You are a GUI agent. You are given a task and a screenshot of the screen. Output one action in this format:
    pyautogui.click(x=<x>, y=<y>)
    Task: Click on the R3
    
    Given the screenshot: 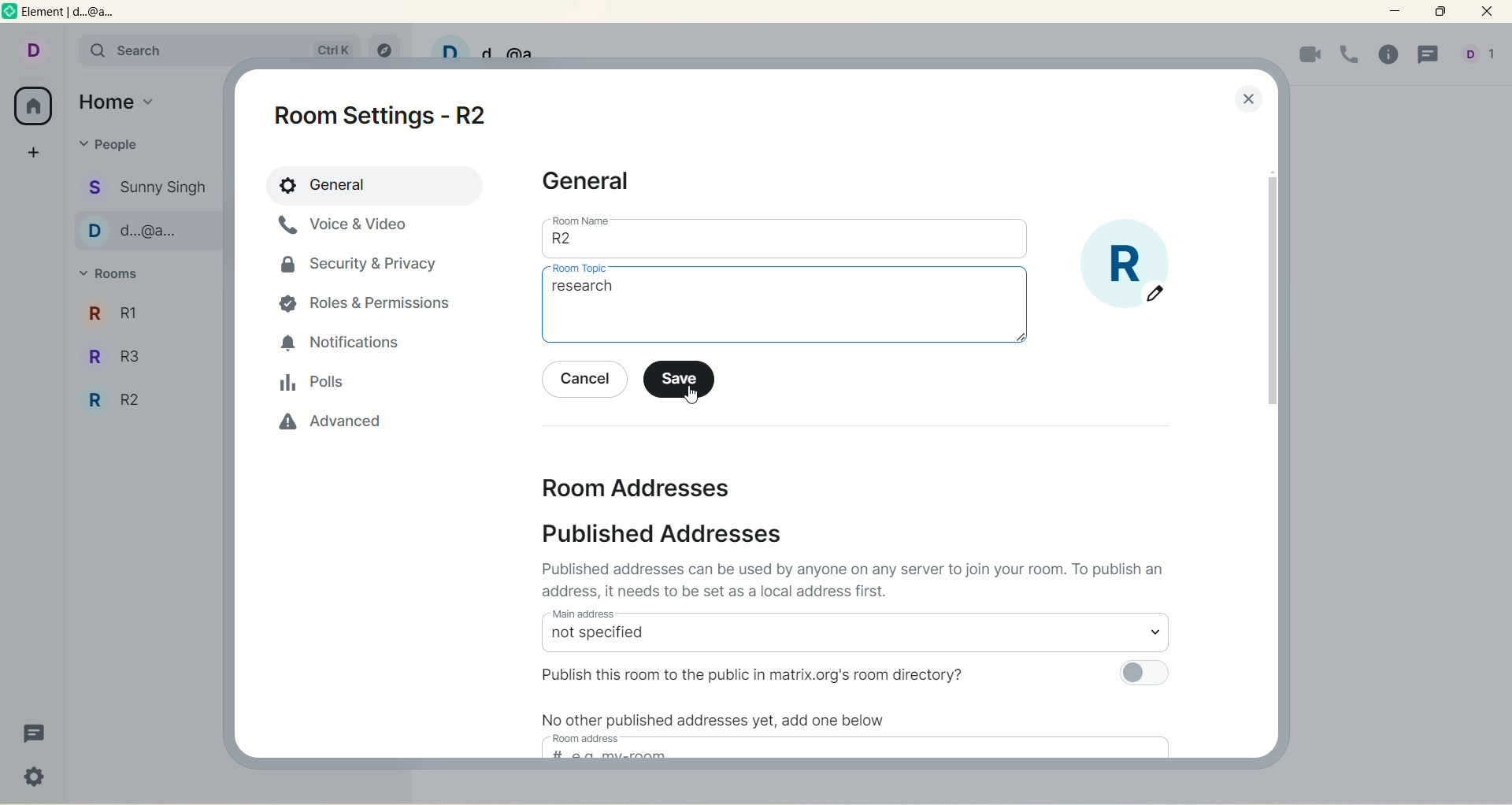 What is the action you would take?
    pyautogui.click(x=141, y=353)
    